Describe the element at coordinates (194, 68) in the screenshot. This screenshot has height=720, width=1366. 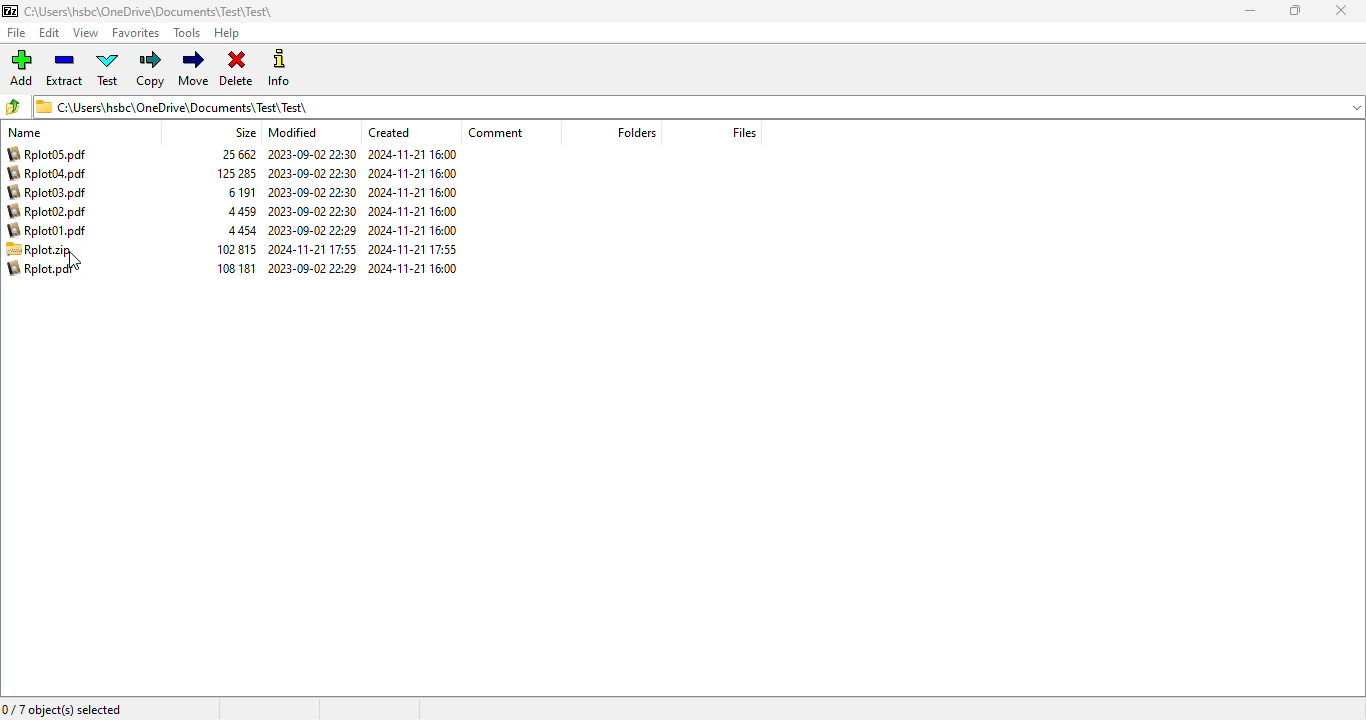
I see `move` at that location.